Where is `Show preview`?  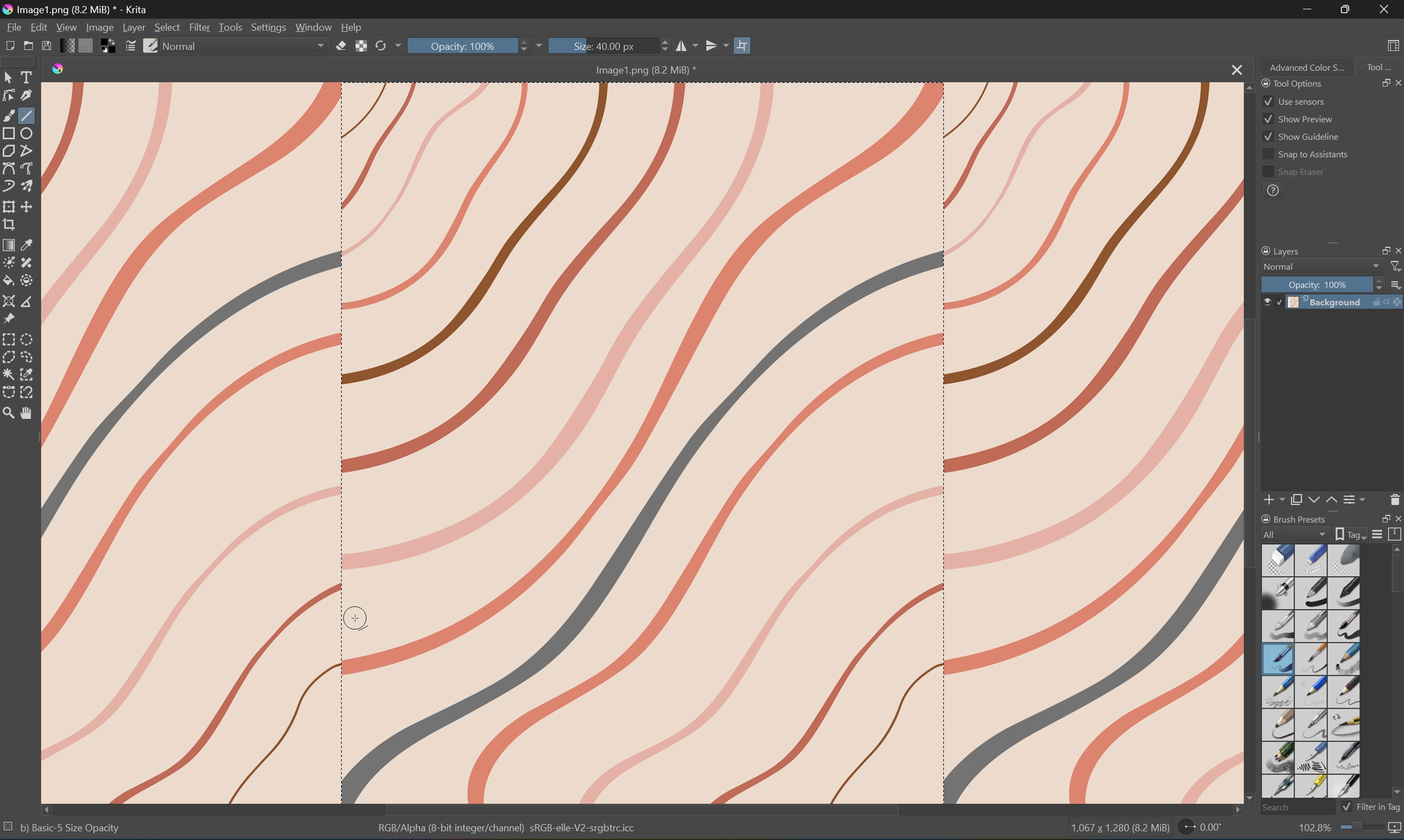 Show preview is located at coordinates (1298, 118).